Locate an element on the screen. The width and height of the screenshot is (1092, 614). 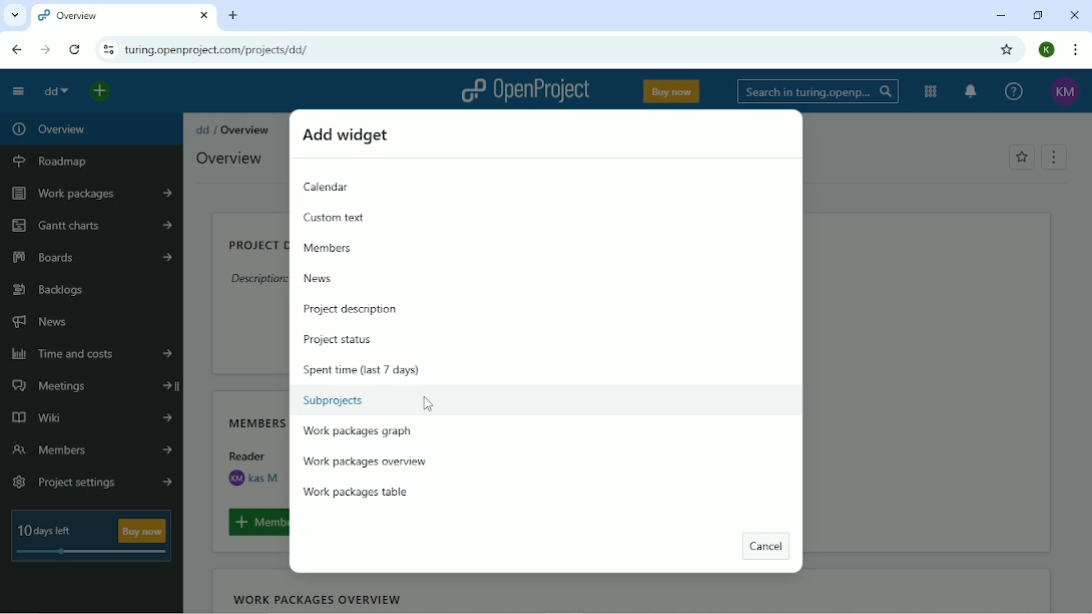
Add widget is located at coordinates (347, 135).